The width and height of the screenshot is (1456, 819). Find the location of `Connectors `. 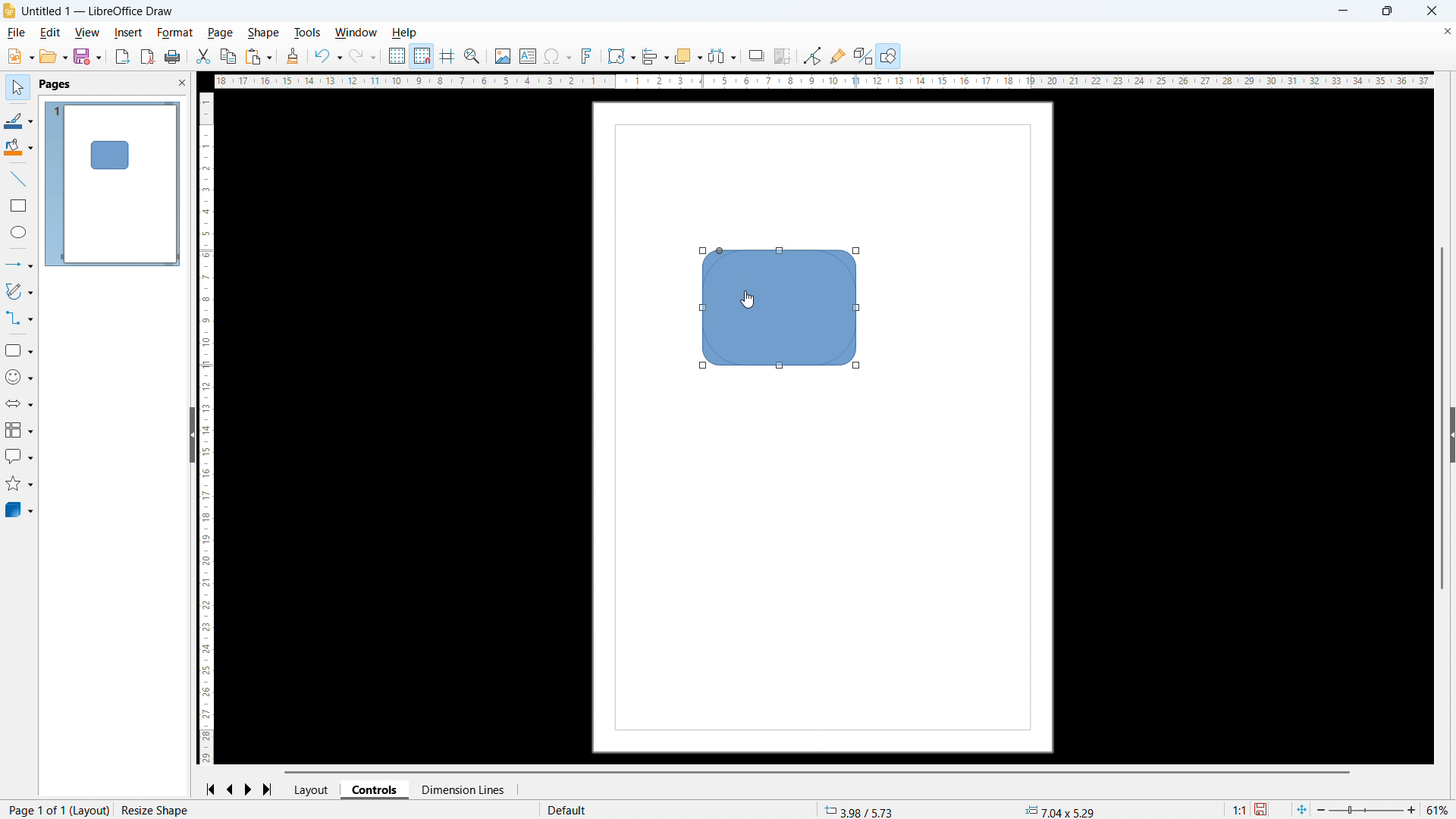

Connectors  is located at coordinates (20, 318).